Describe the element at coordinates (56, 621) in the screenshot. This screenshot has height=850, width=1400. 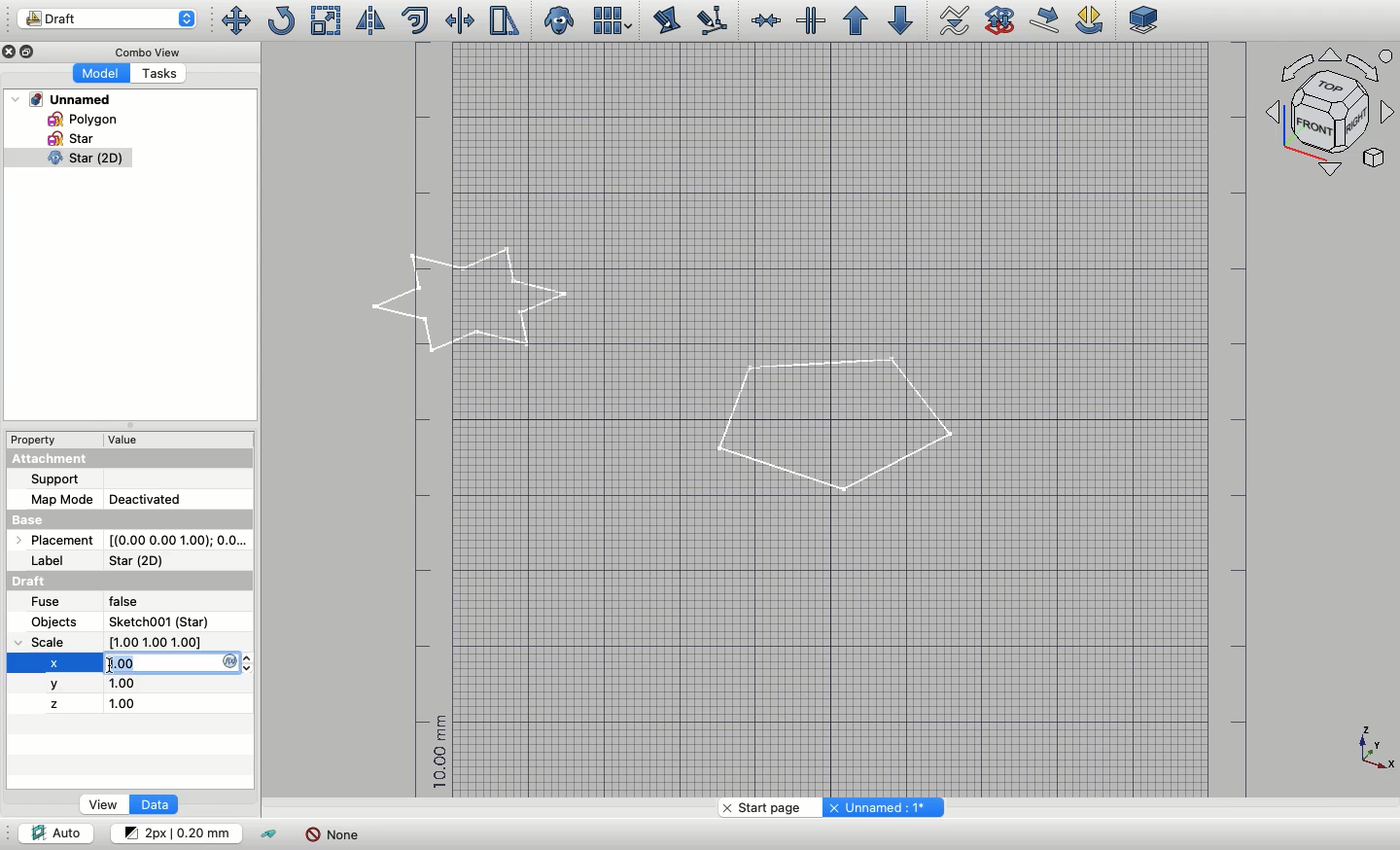
I see `Objects` at that location.